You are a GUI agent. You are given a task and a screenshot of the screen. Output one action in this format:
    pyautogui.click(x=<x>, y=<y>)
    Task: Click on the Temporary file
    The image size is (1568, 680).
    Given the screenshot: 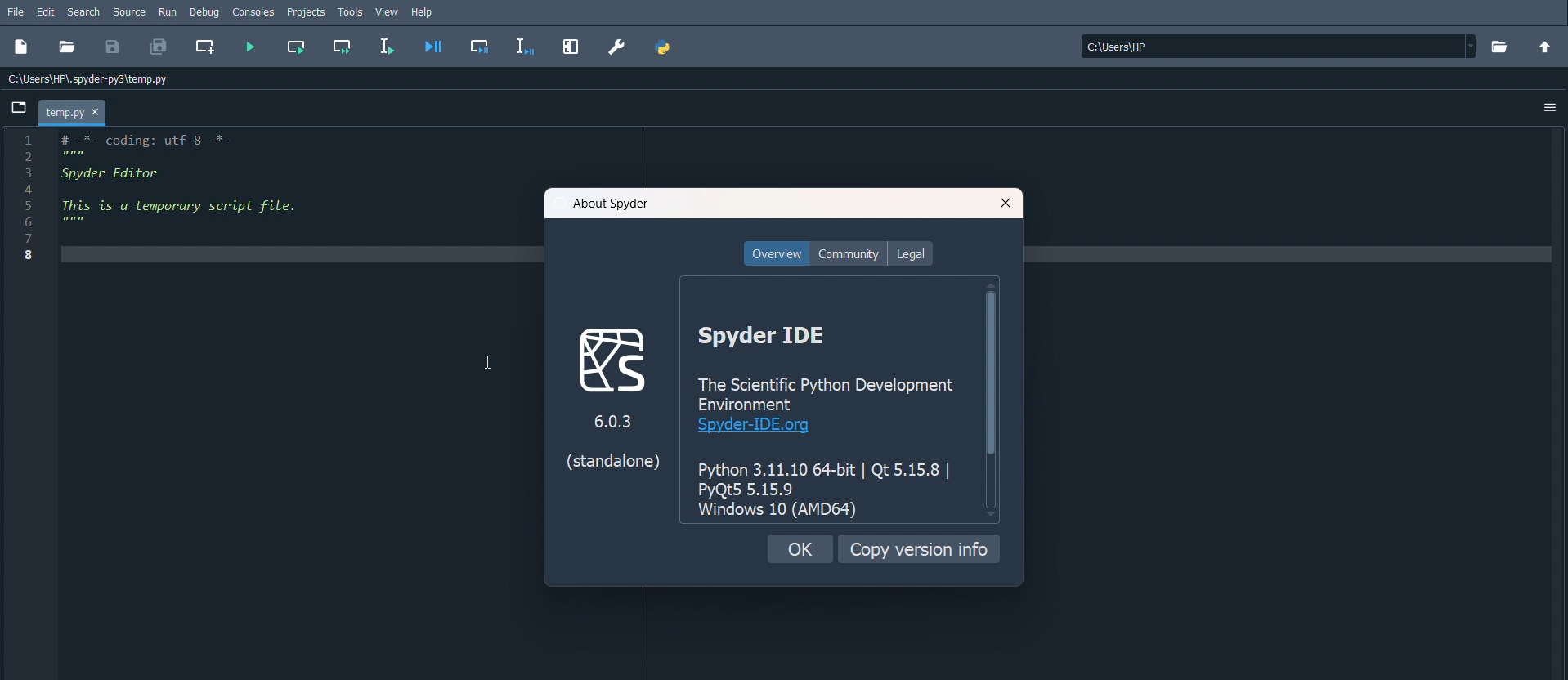 What is the action you would take?
    pyautogui.click(x=73, y=112)
    